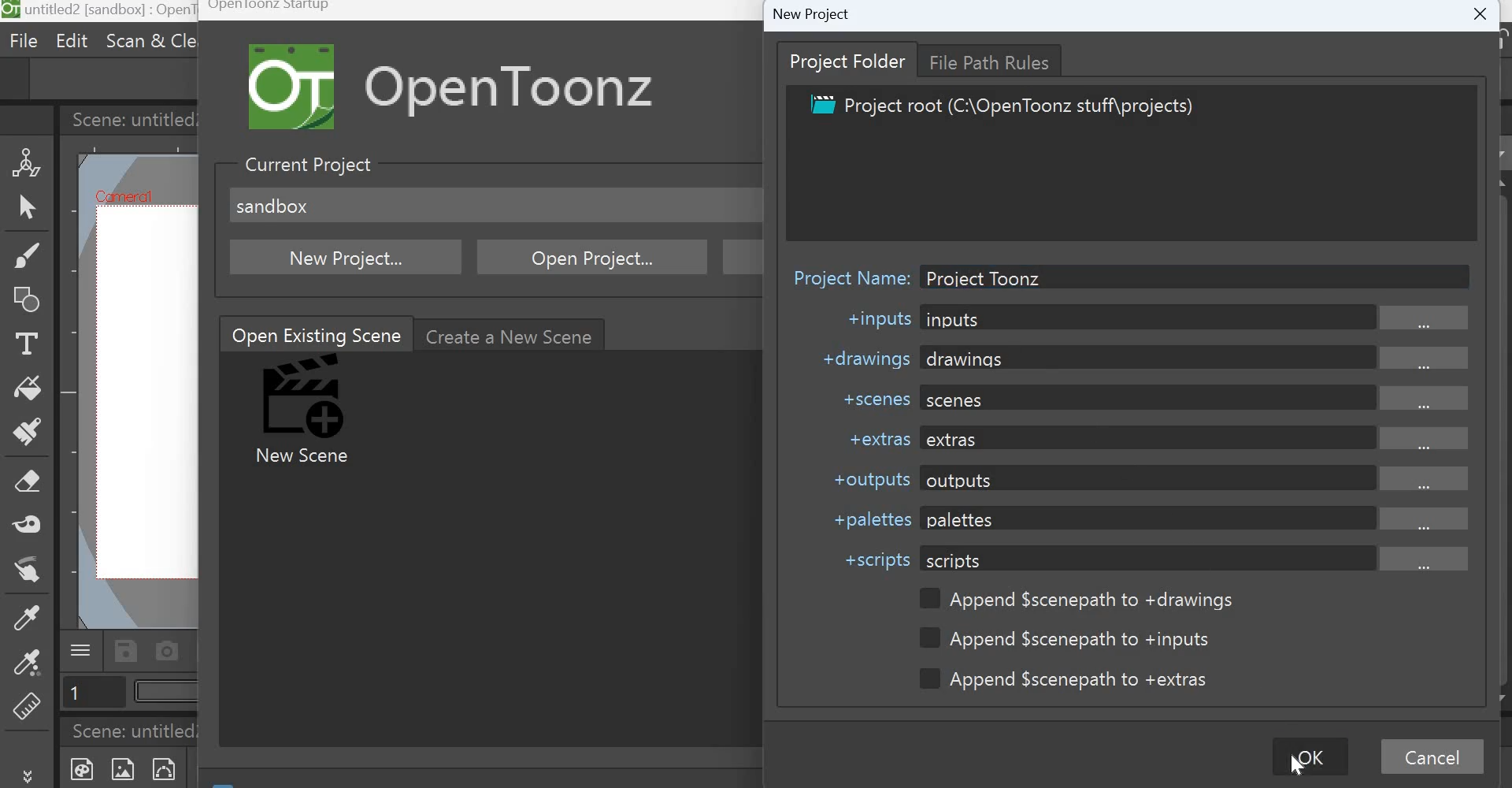  Describe the element at coordinates (269, 9) in the screenshot. I see `Opentoonz Startup` at that location.